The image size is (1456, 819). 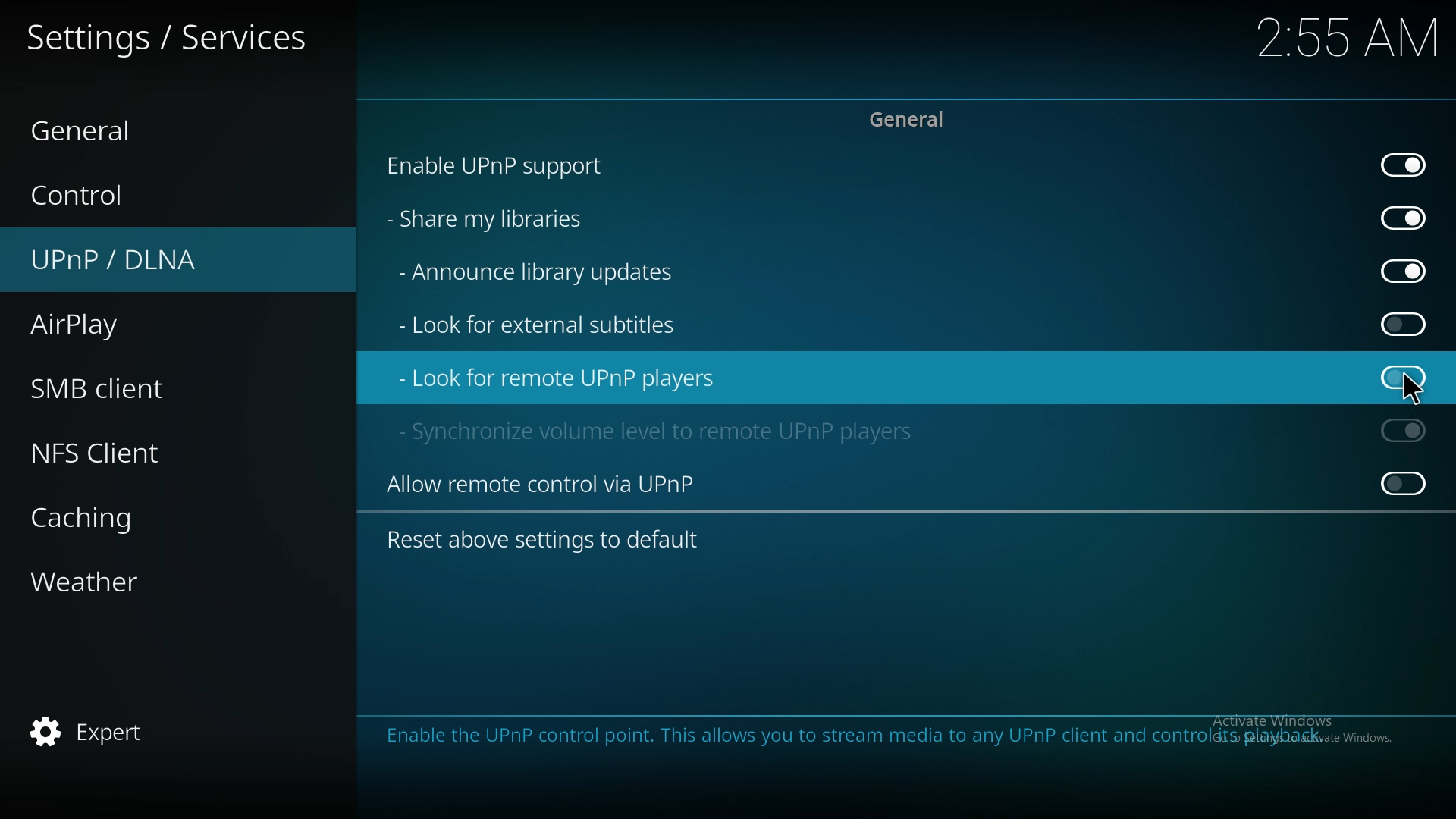 I want to click on reset, so click(x=555, y=540).